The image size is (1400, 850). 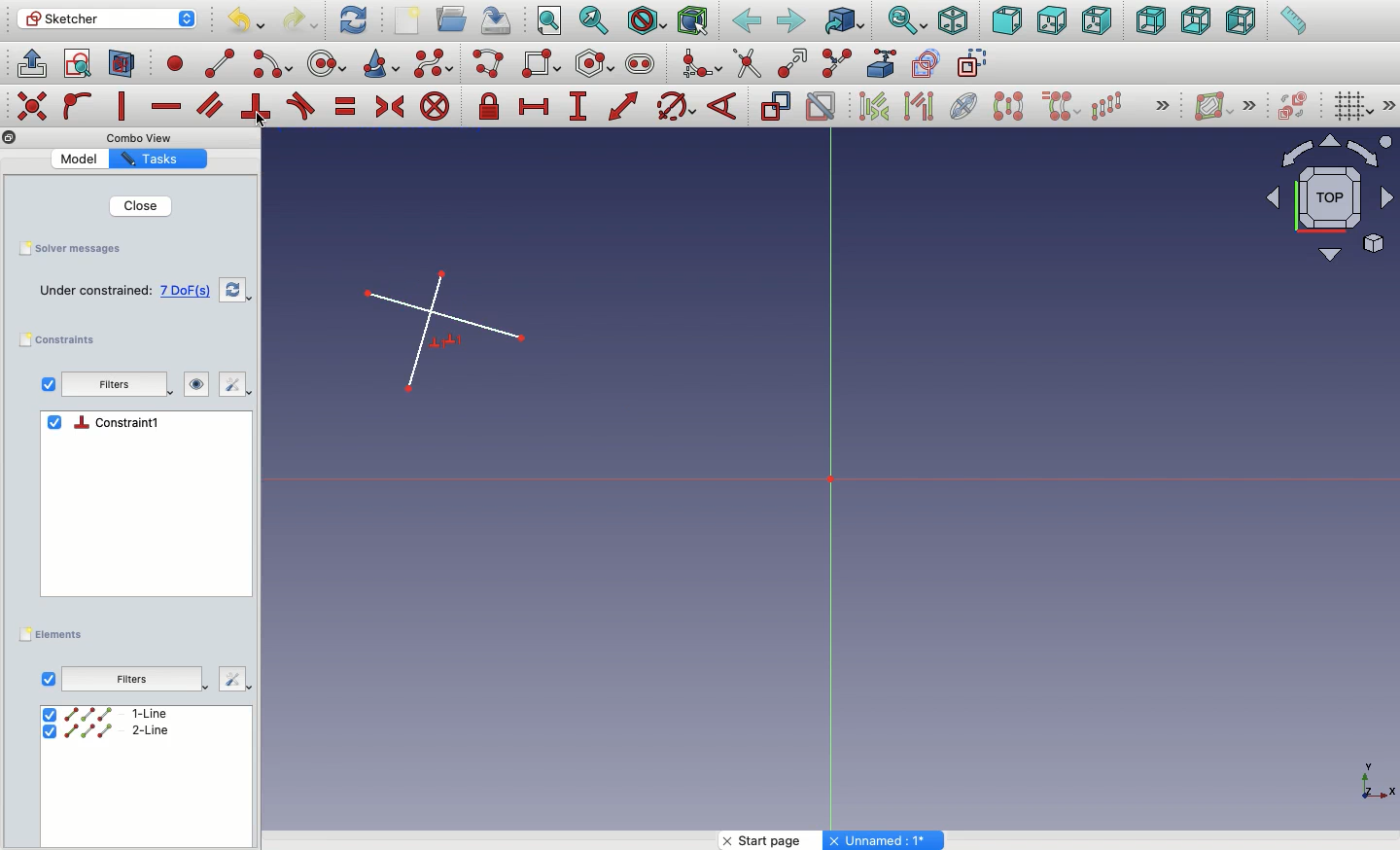 What do you see at coordinates (146, 725) in the screenshot?
I see `select All` at bounding box center [146, 725].